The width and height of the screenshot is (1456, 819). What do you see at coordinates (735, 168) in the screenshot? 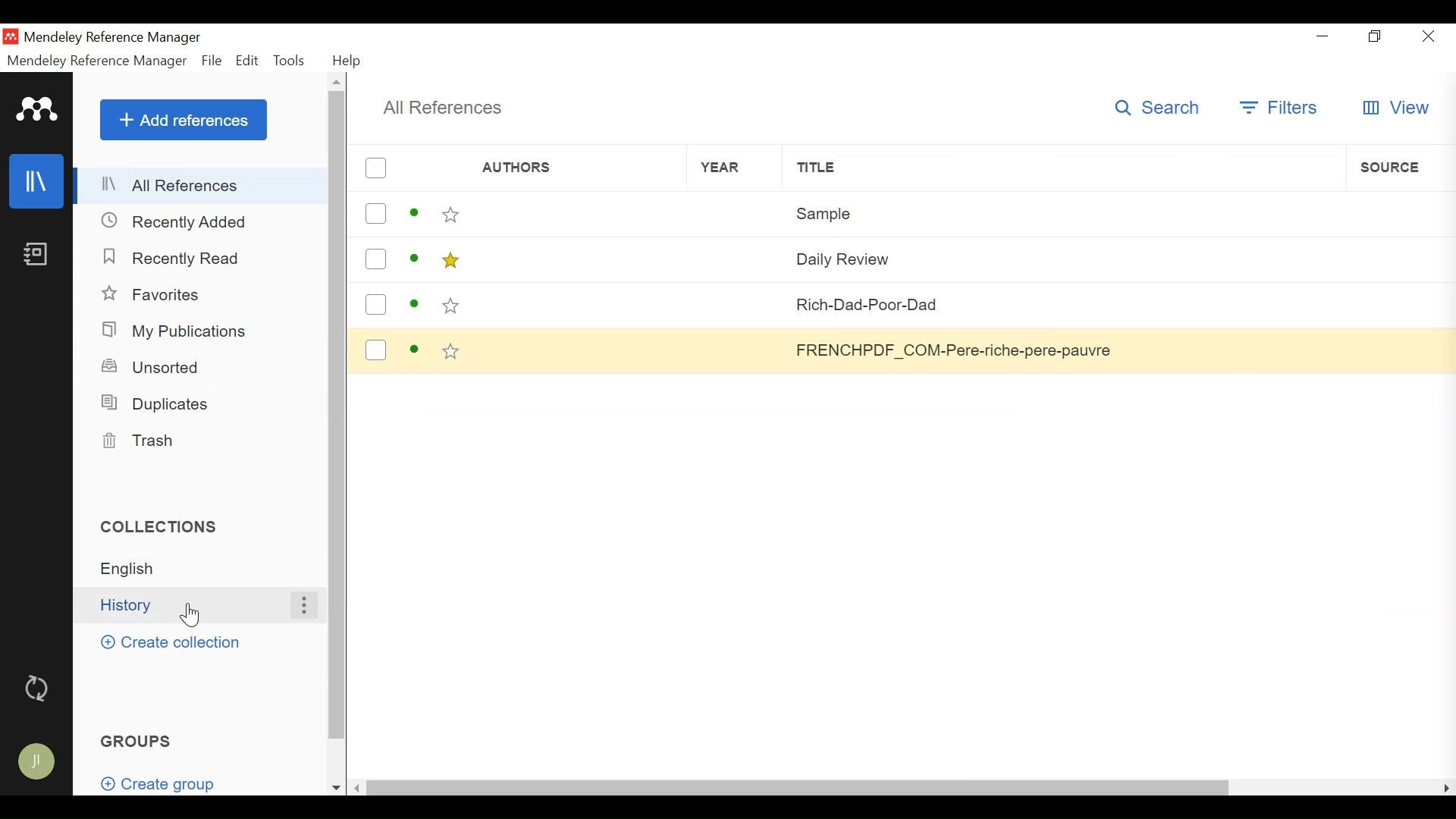
I see `Year` at bounding box center [735, 168].